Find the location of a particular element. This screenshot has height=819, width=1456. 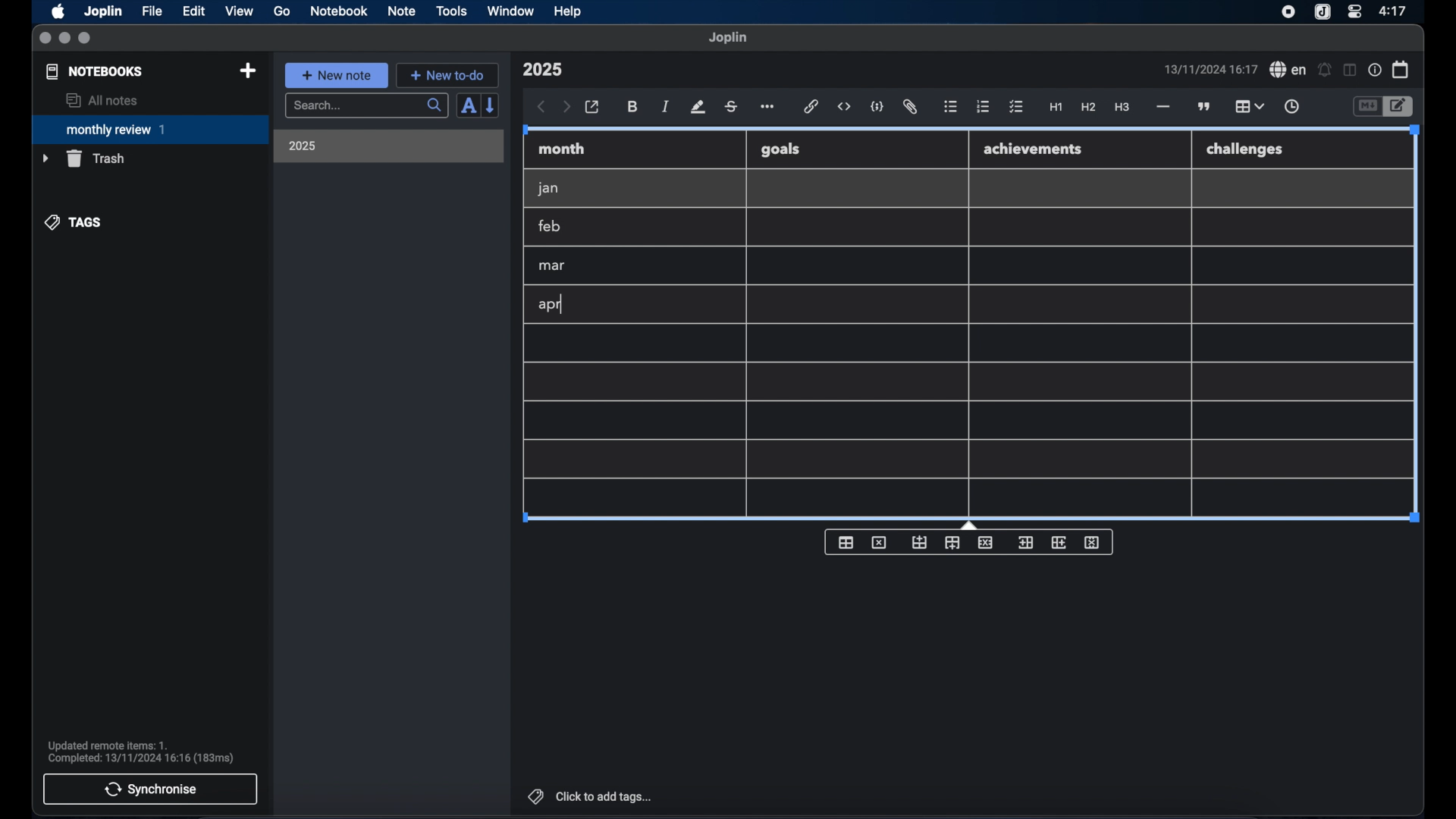

insert table is located at coordinates (846, 542).